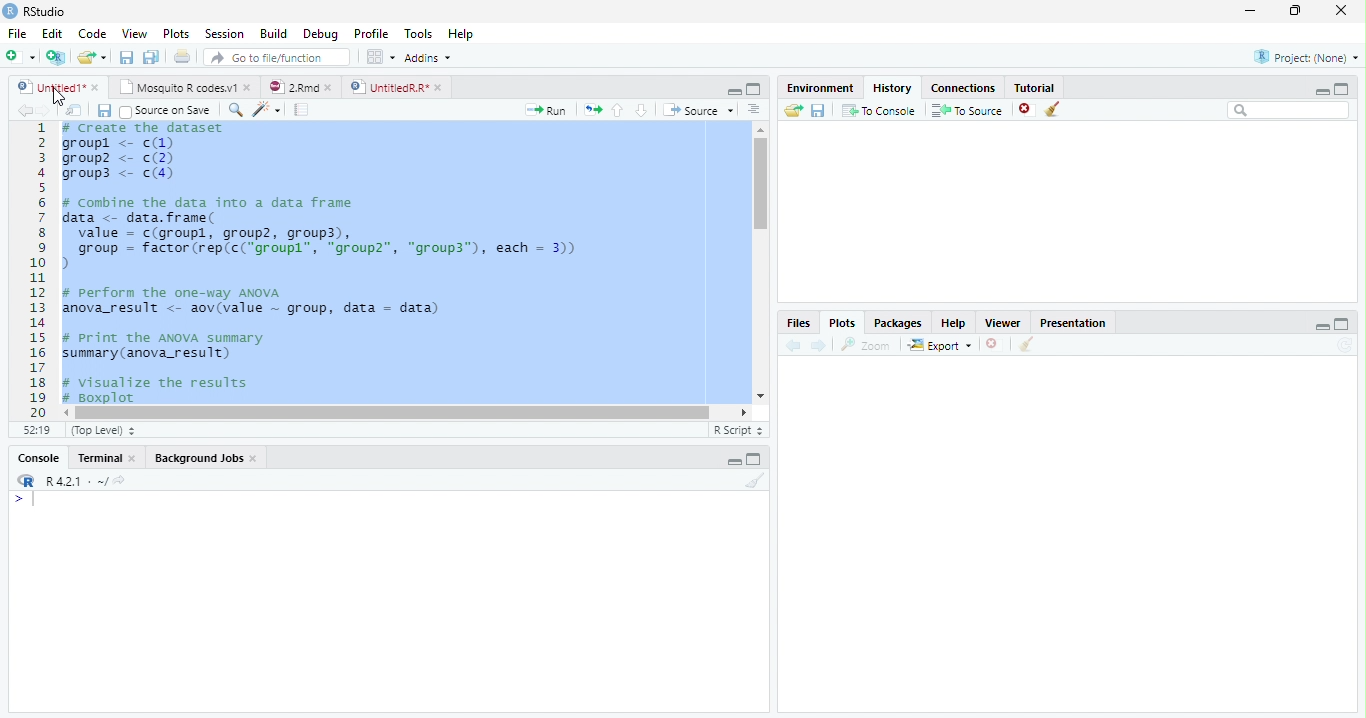 The image size is (1366, 718). What do you see at coordinates (590, 109) in the screenshot?
I see `Copy pages` at bounding box center [590, 109].